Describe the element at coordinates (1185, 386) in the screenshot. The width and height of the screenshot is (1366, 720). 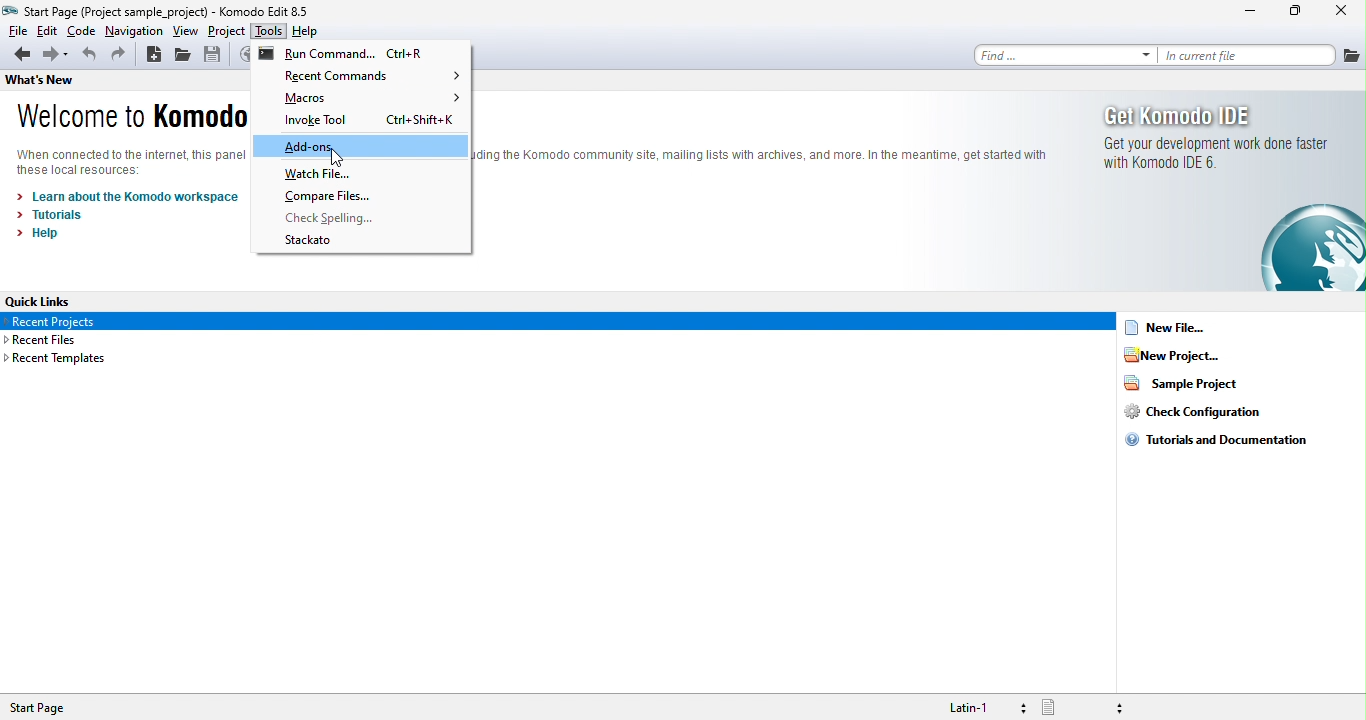
I see `sample project` at that location.